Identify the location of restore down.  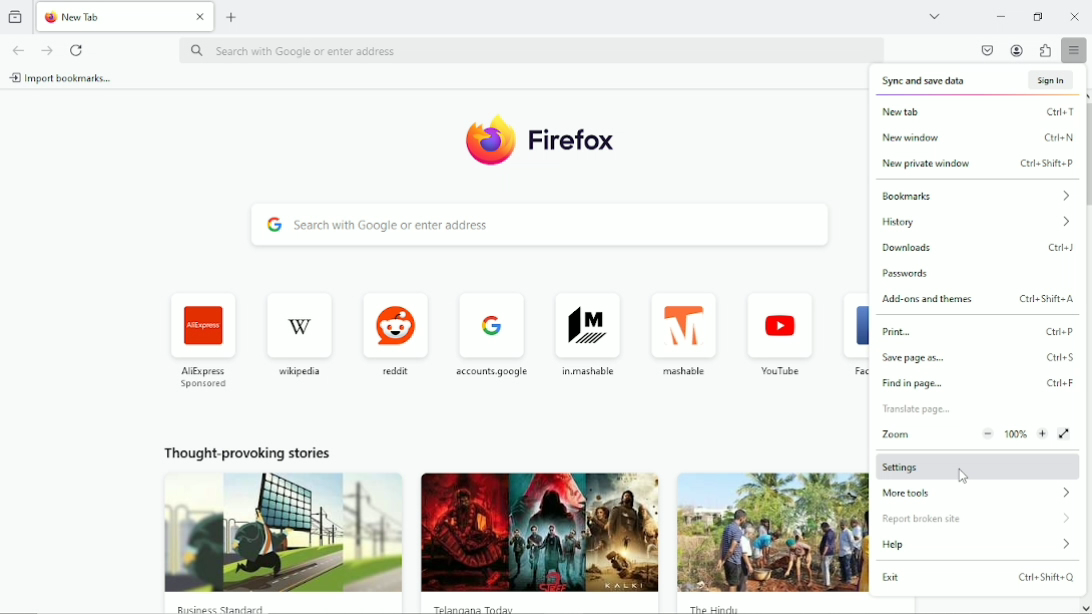
(1040, 17).